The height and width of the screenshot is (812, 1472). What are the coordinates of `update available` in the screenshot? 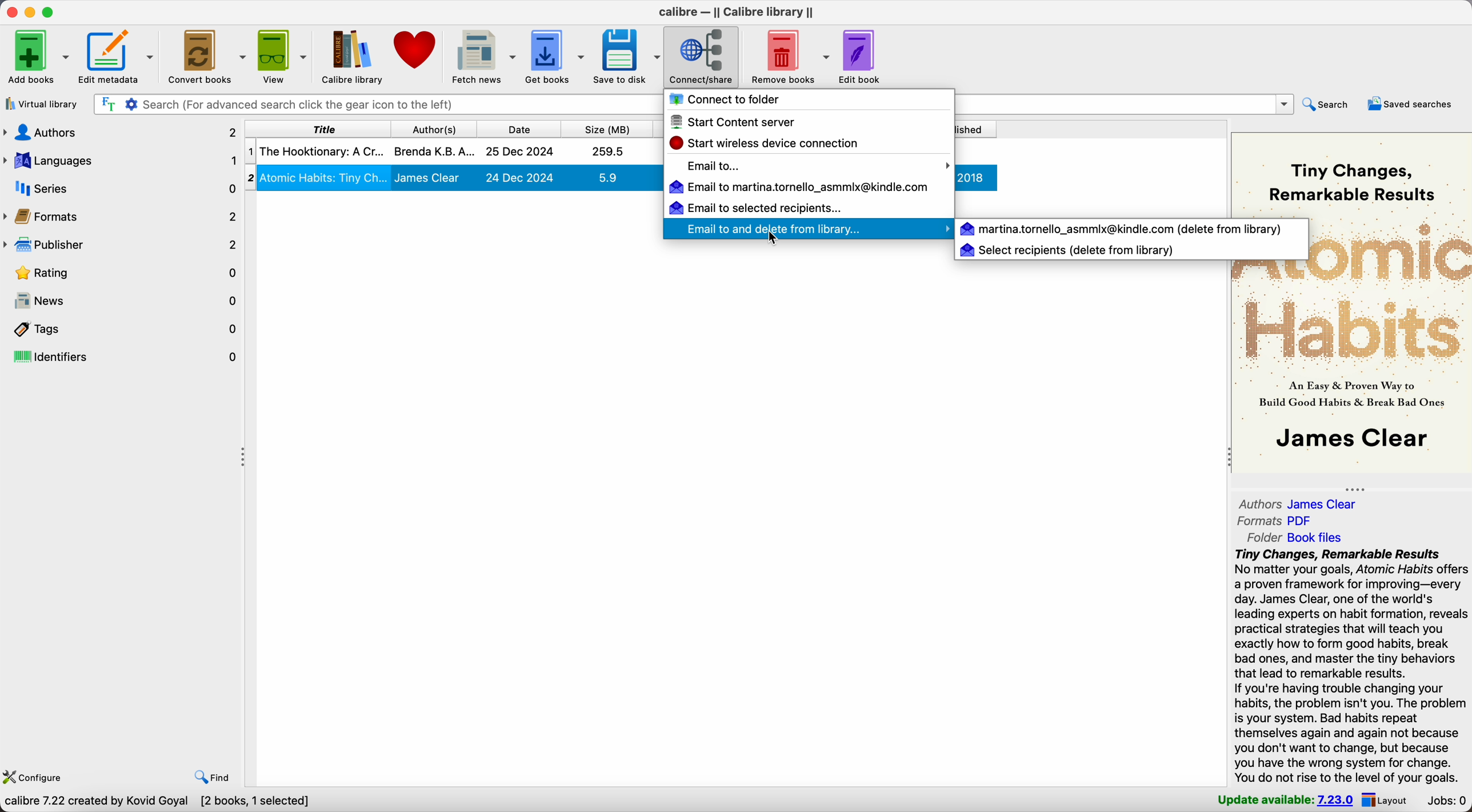 It's located at (1286, 801).